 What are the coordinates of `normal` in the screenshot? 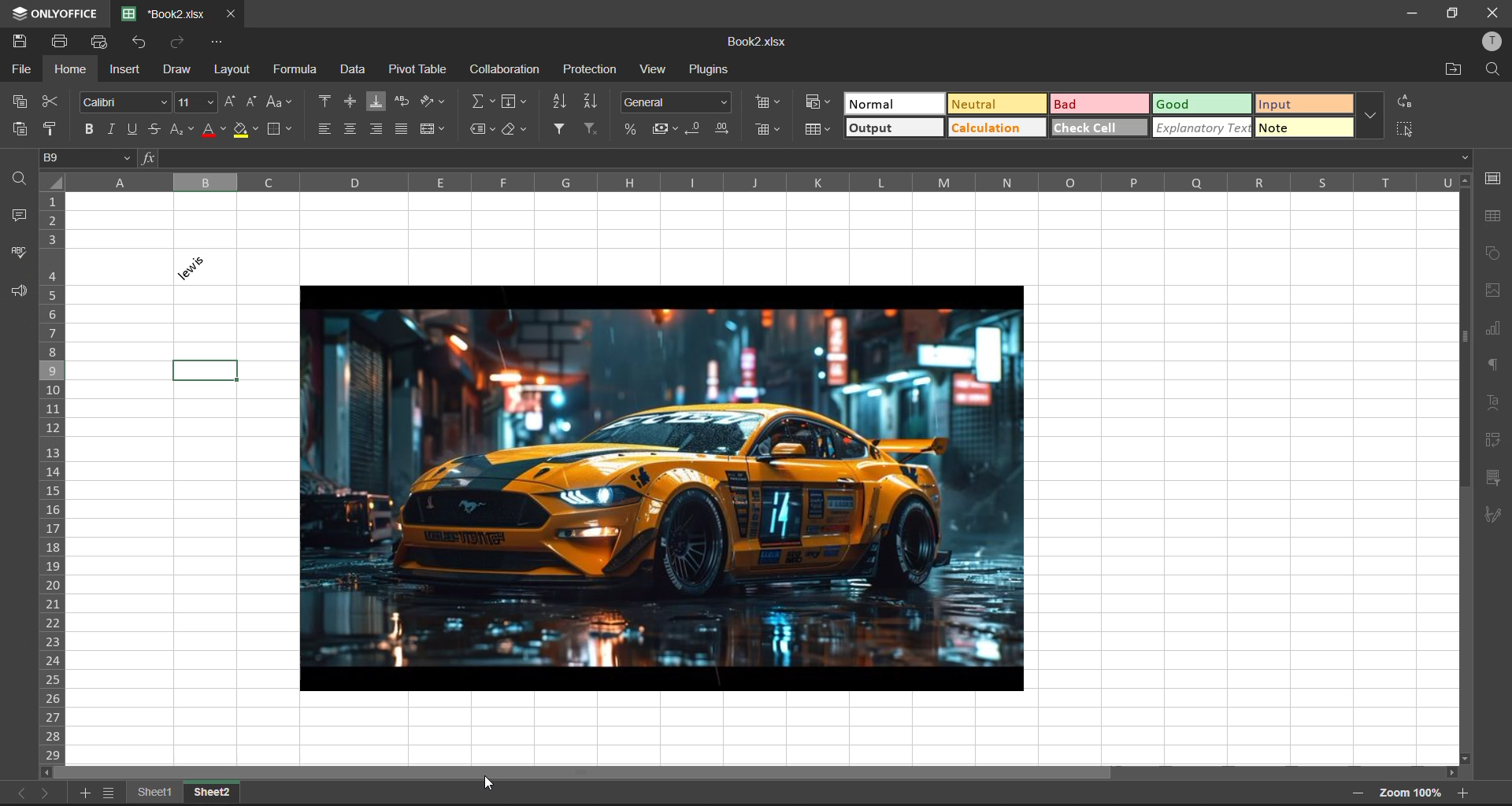 It's located at (891, 104).